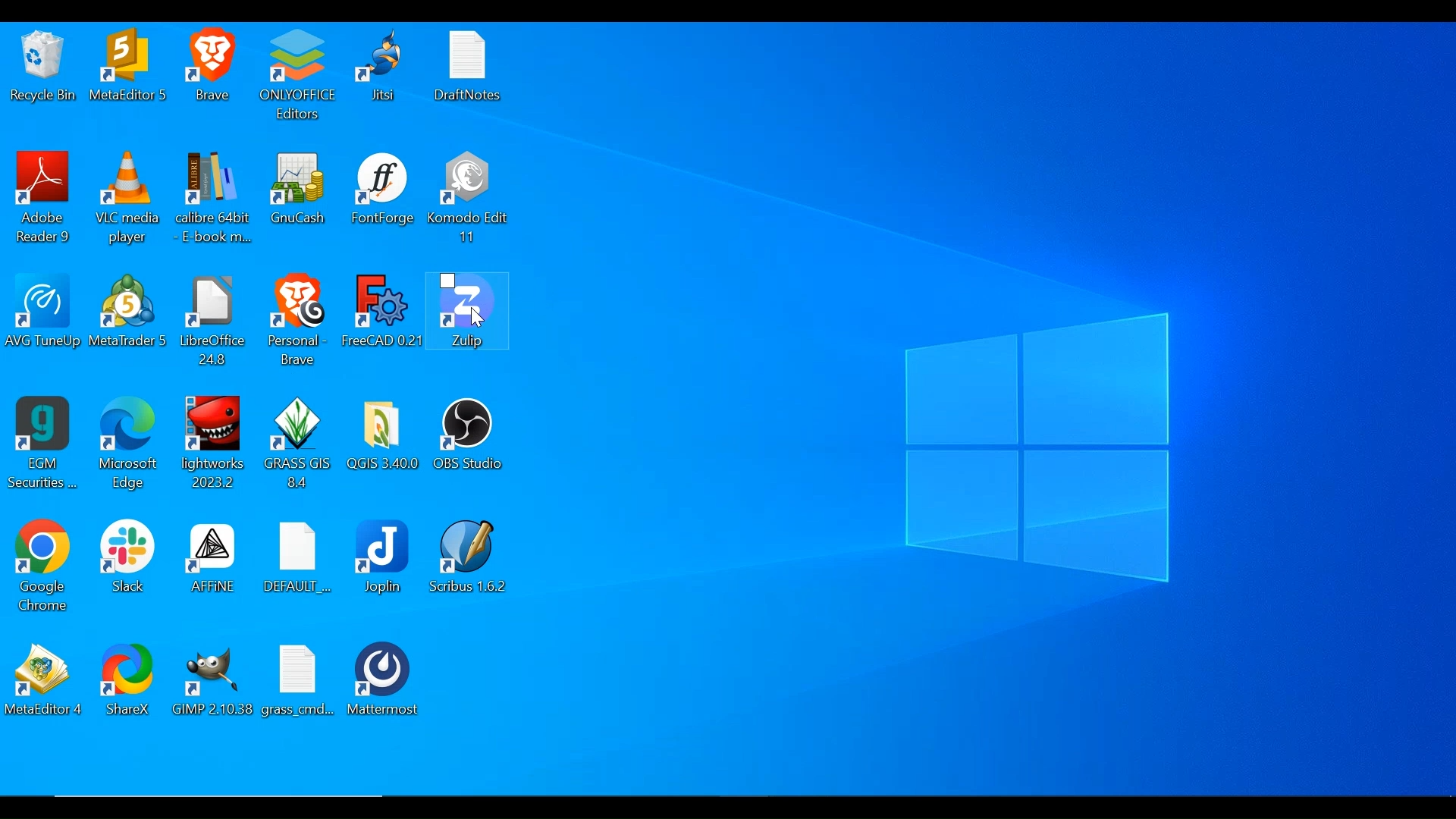  I want to click on Meta Desktop icon, so click(47, 680).